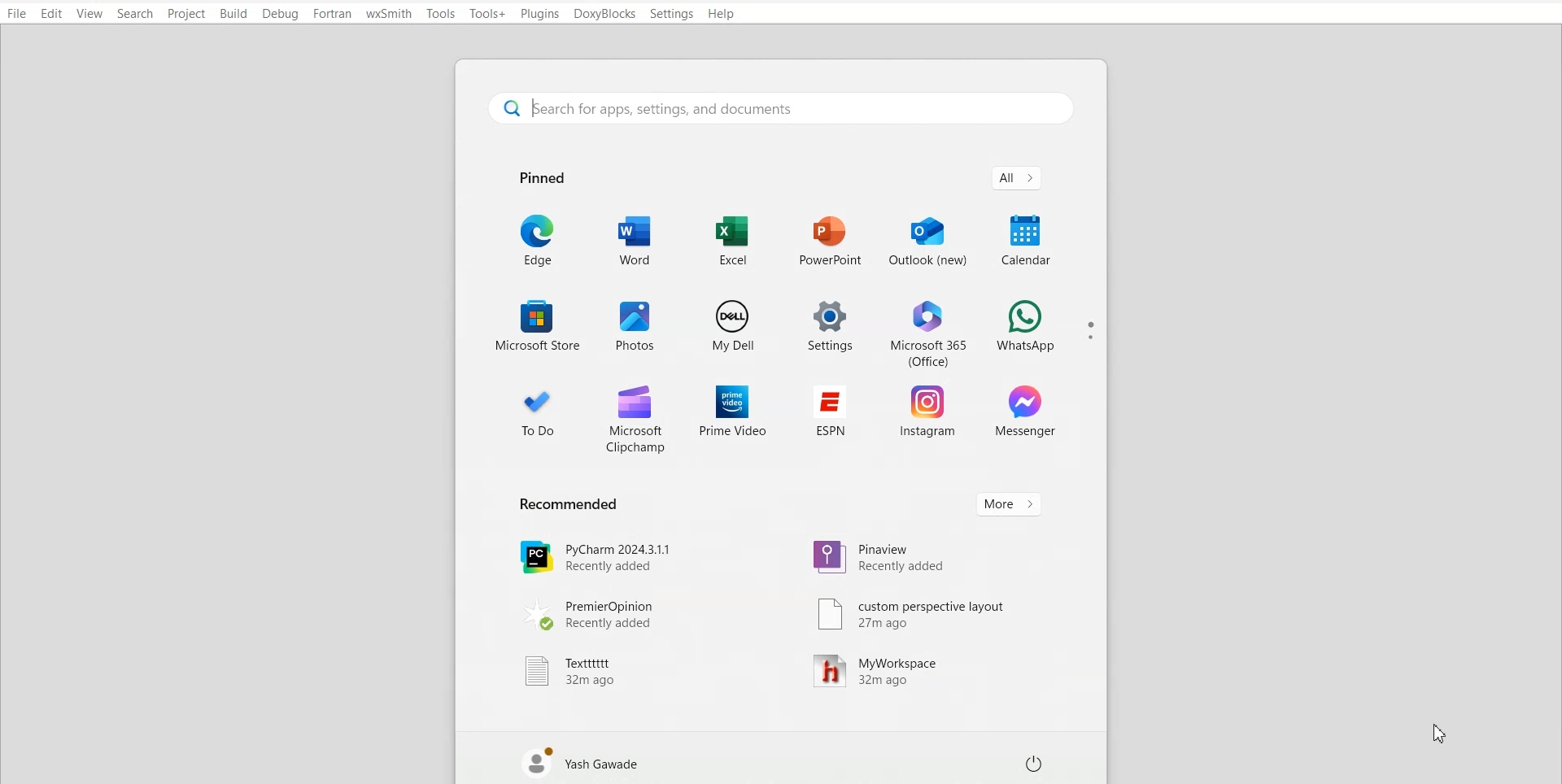 This screenshot has width=1562, height=784. Describe the element at coordinates (52, 13) in the screenshot. I see `Edit` at that location.